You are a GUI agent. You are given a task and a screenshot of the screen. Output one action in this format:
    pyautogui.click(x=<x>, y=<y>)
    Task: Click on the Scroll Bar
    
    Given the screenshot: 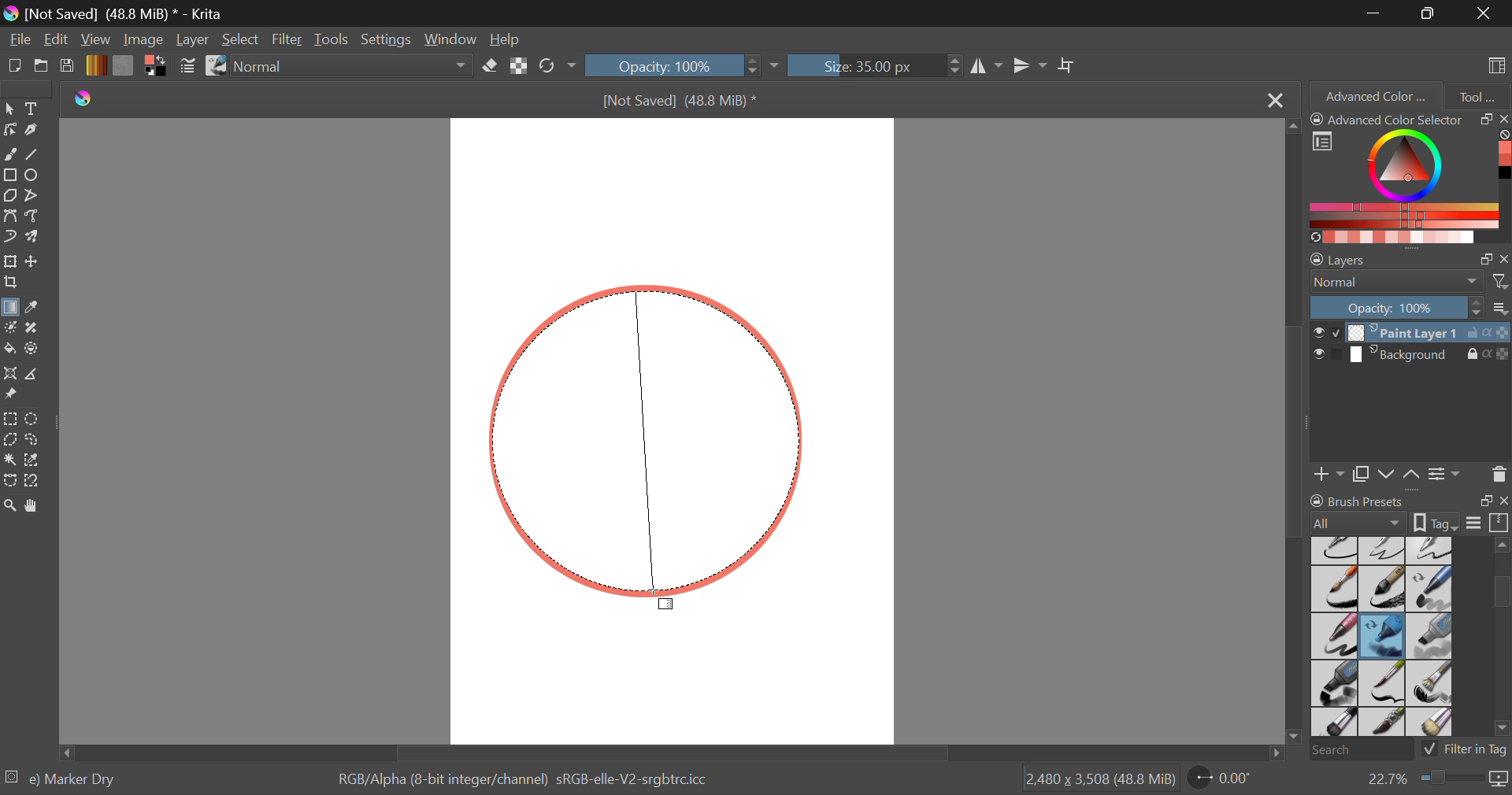 What is the action you would take?
    pyautogui.click(x=668, y=752)
    